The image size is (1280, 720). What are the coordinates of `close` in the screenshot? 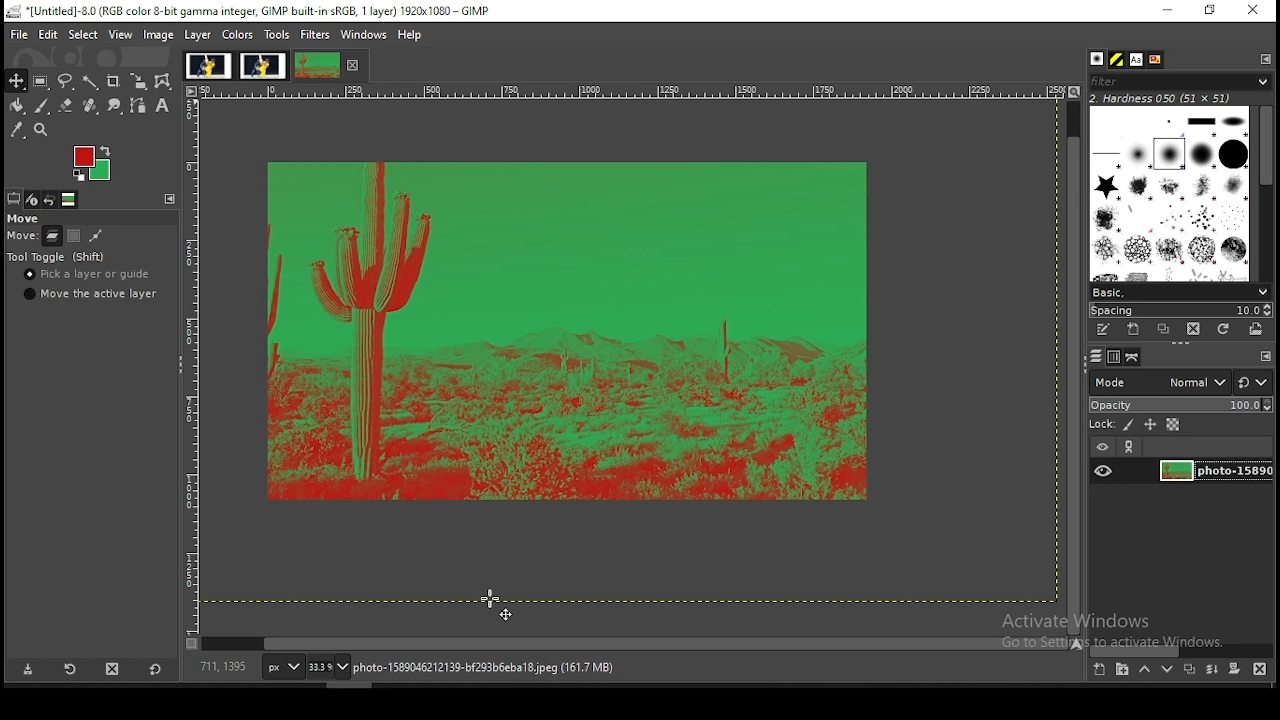 It's located at (354, 65).